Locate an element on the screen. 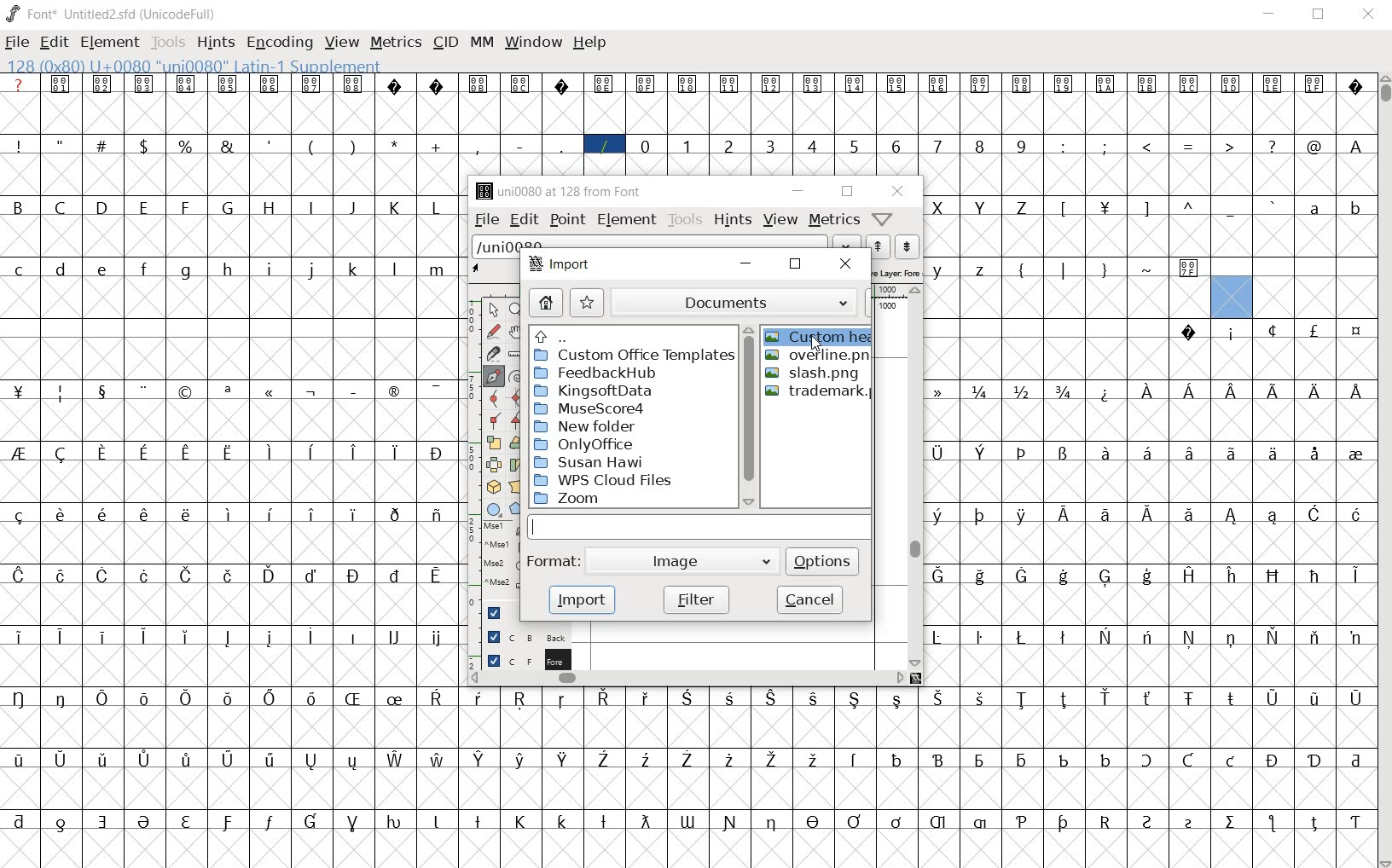 The image size is (1392, 868). glyph is located at coordinates (1064, 85).